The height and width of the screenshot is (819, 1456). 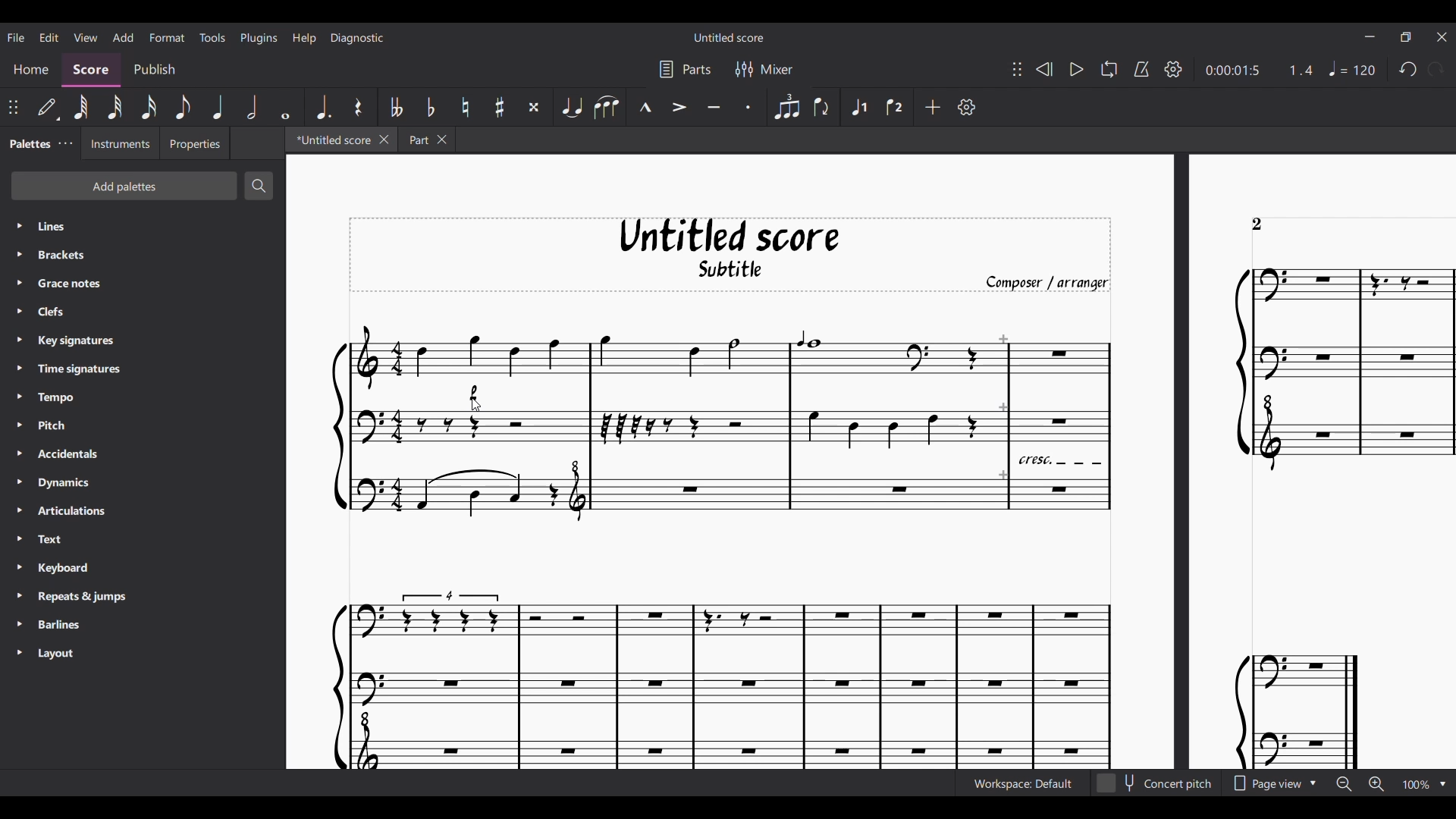 What do you see at coordinates (1406, 37) in the screenshot?
I see `Show interface in a smaller tab` at bounding box center [1406, 37].